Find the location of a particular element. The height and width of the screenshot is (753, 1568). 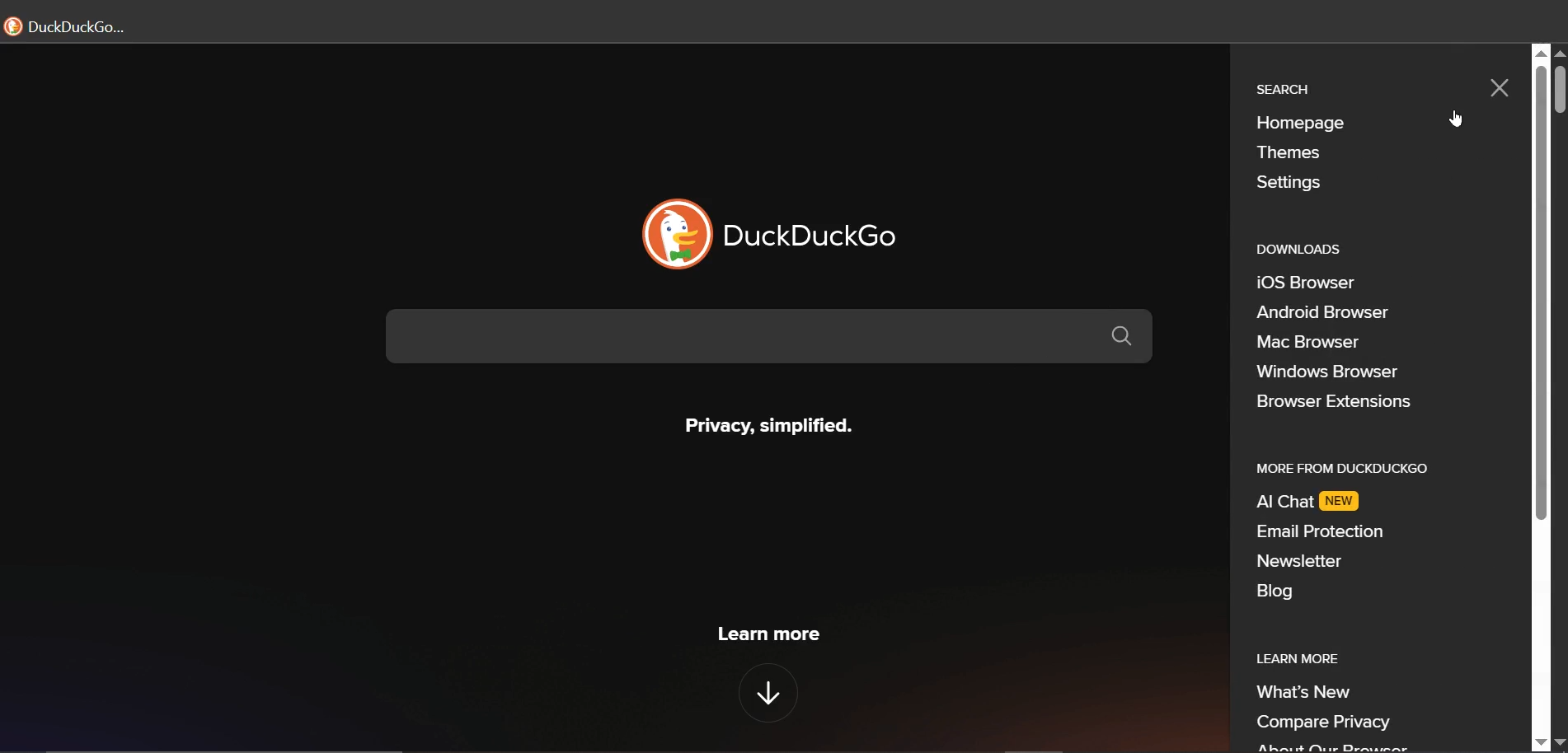

About our Browser is located at coordinates (1331, 746).